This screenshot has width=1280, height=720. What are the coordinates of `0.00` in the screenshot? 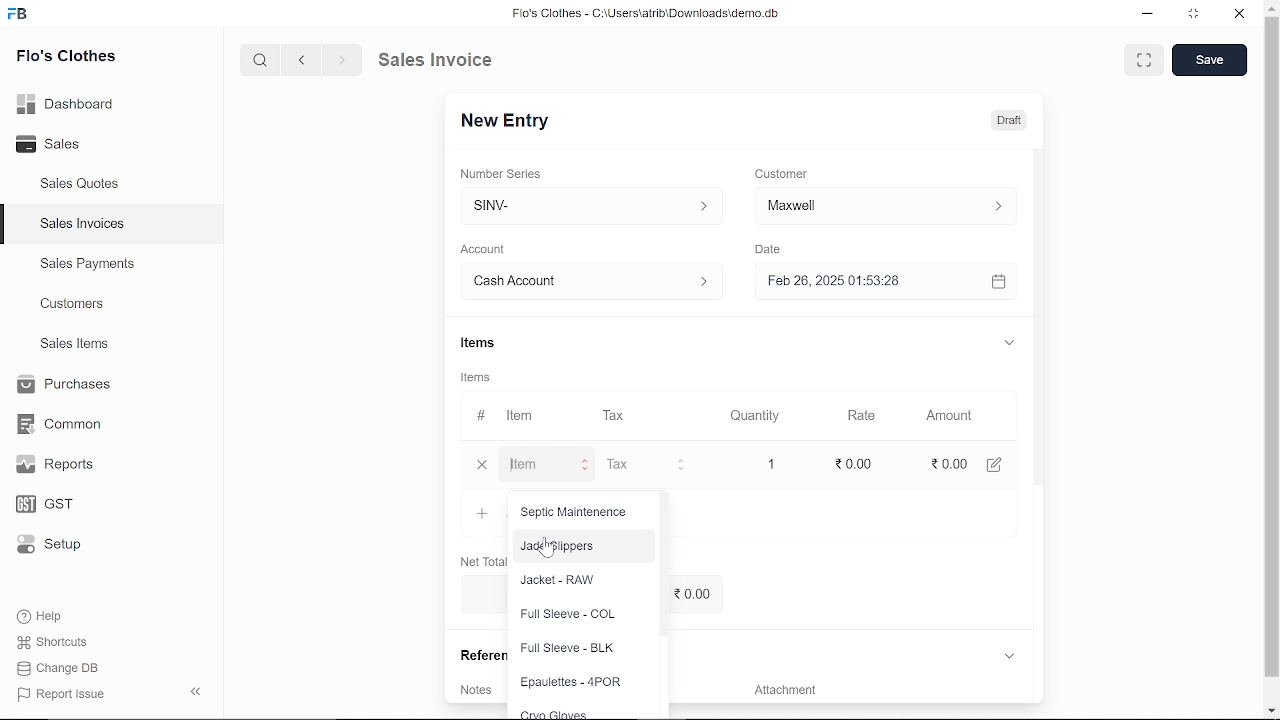 It's located at (704, 596).